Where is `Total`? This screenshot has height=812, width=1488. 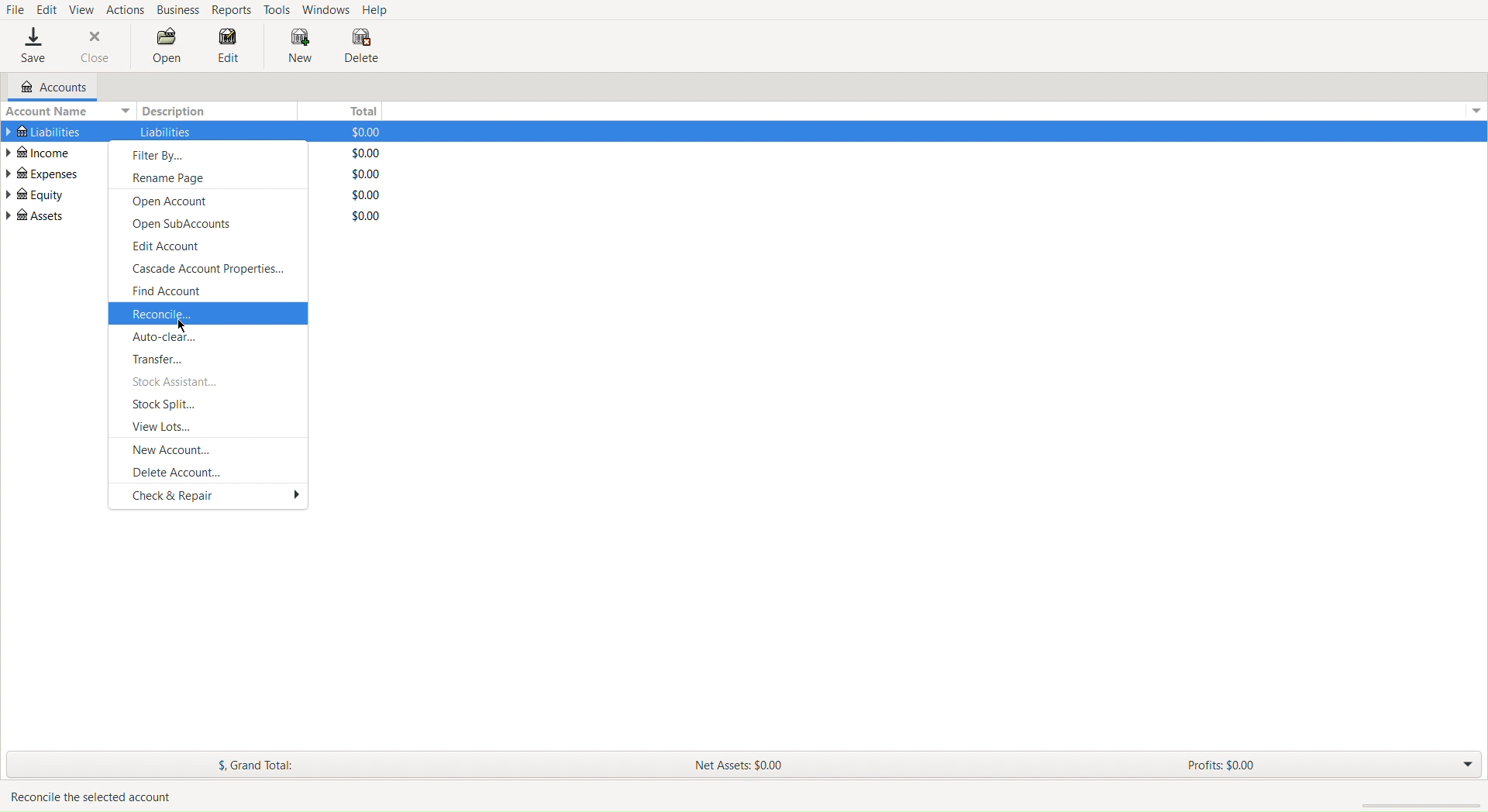
Total is located at coordinates (370, 131).